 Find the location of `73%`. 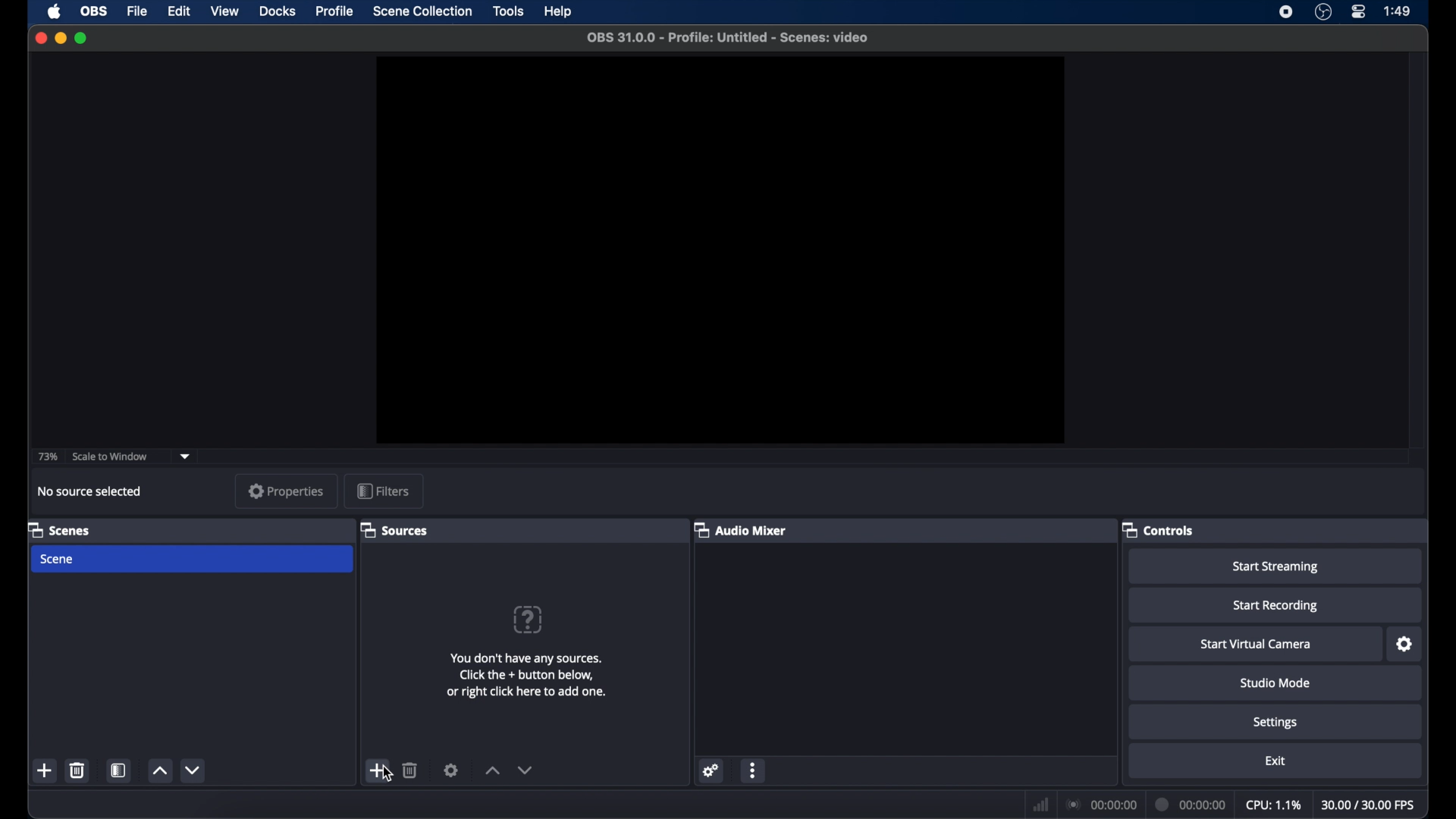

73% is located at coordinates (47, 457).